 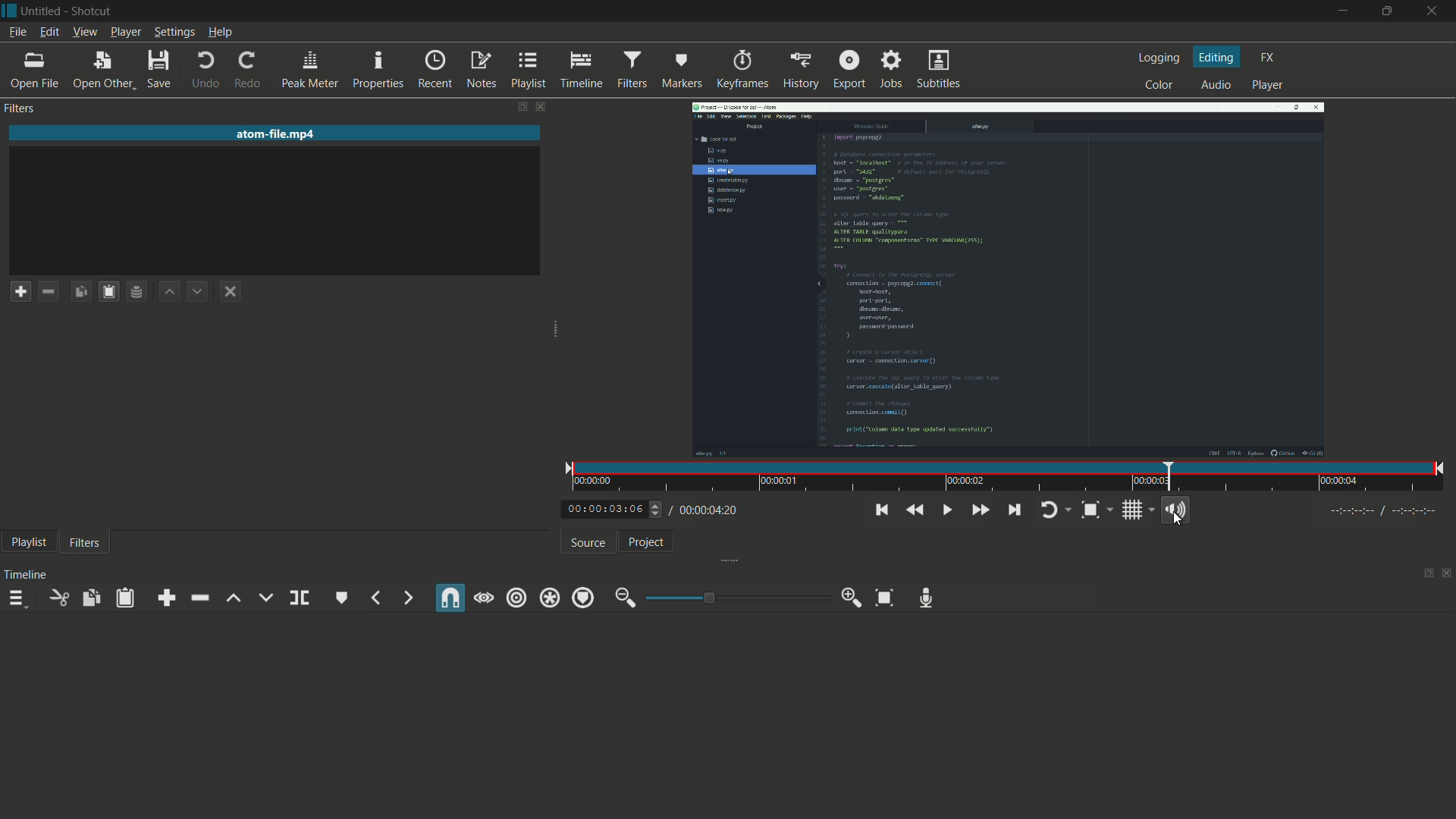 What do you see at coordinates (1008, 281) in the screenshot?
I see `imported video` at bounding box center [1008, 281].